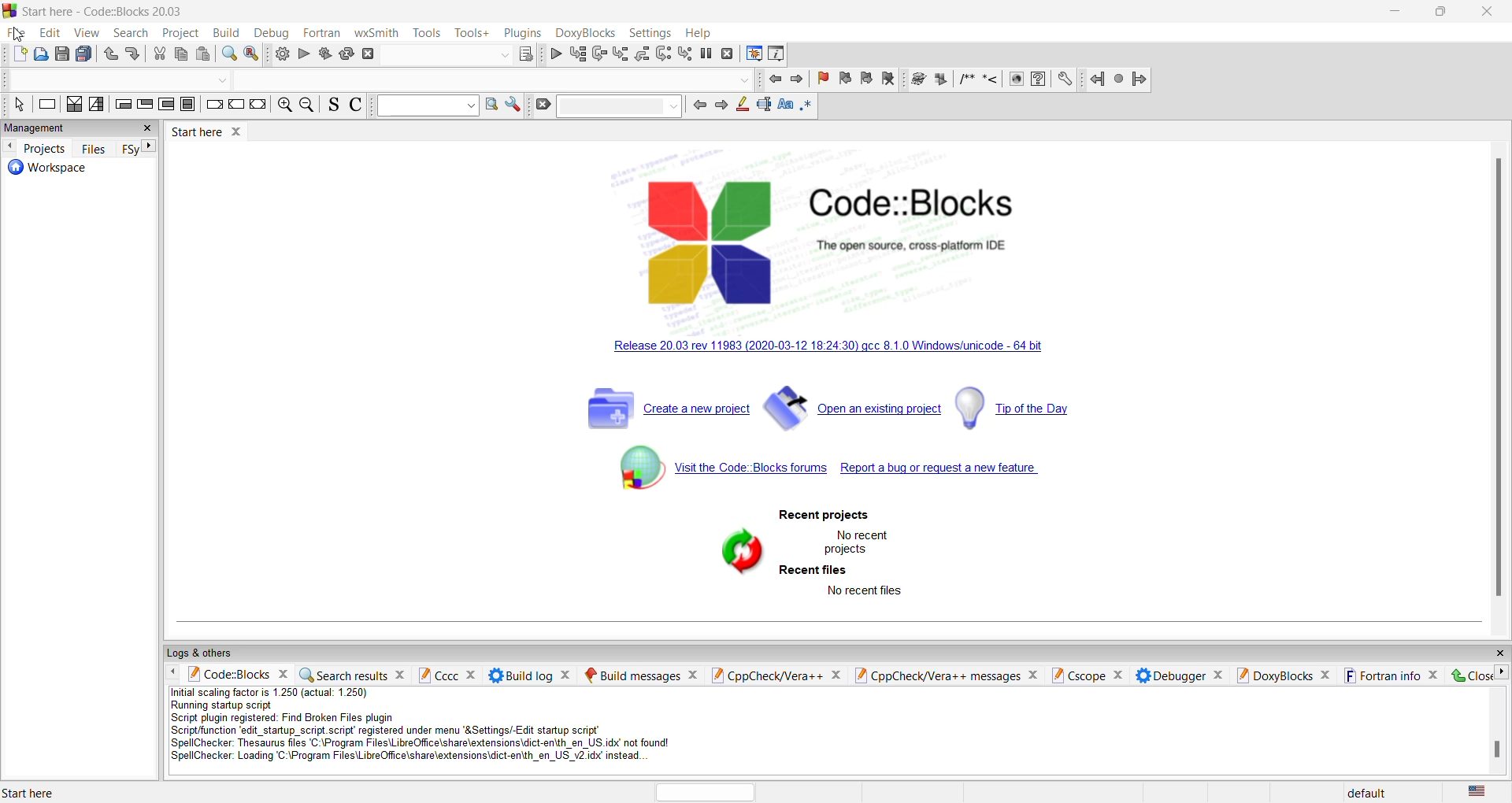 The height and width of the screenshot is (803, 1512). What do you see at coordinates (472, 33) in the screenshot?
I see `tools plus` at bounding box center [472, 33].